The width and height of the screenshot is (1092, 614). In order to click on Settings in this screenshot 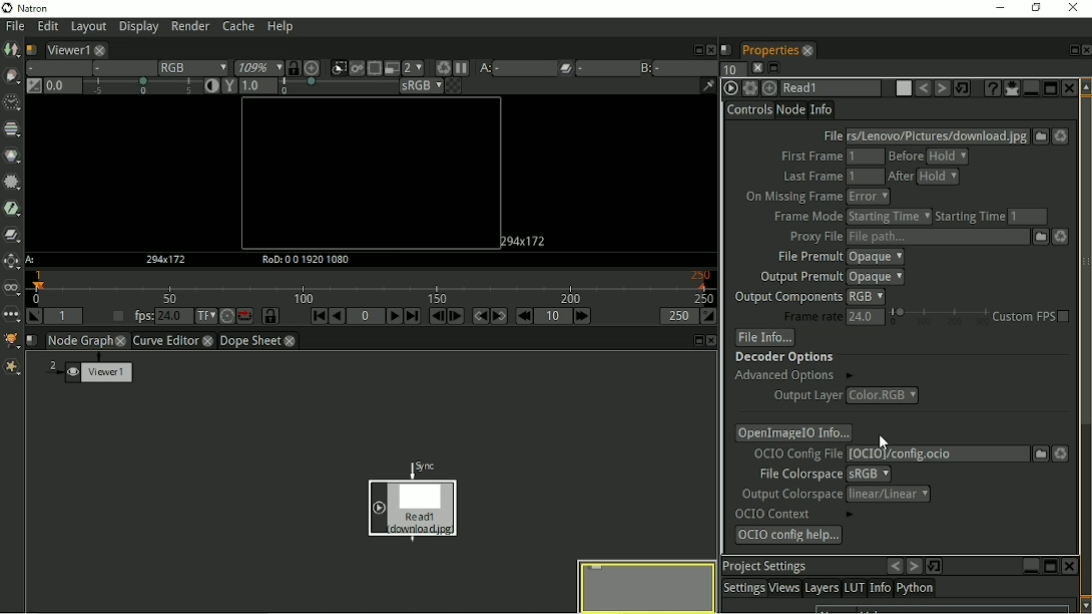, I will do `click(743, 588)`.